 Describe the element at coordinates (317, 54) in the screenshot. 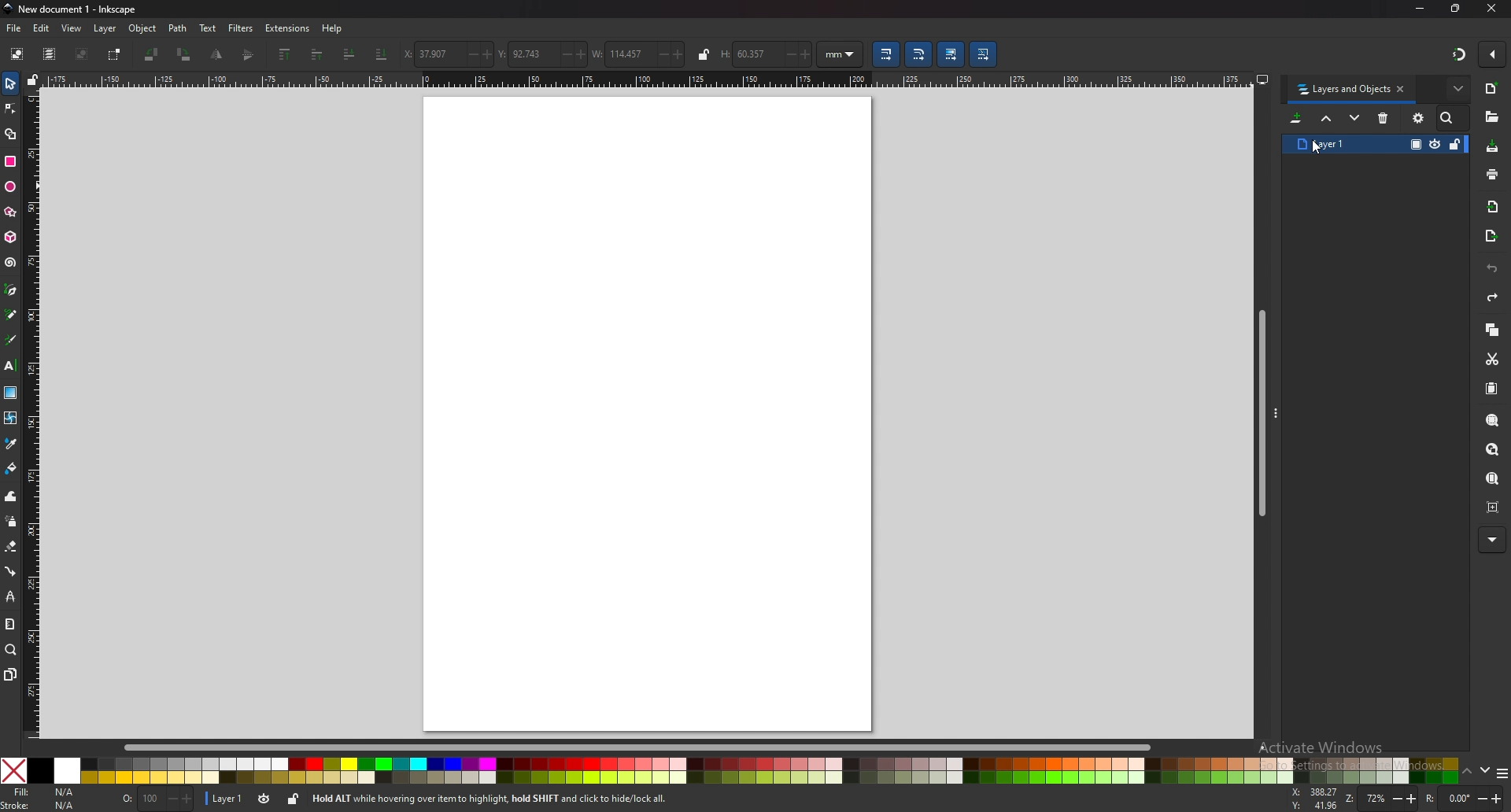

I see `raise one step` at that location.